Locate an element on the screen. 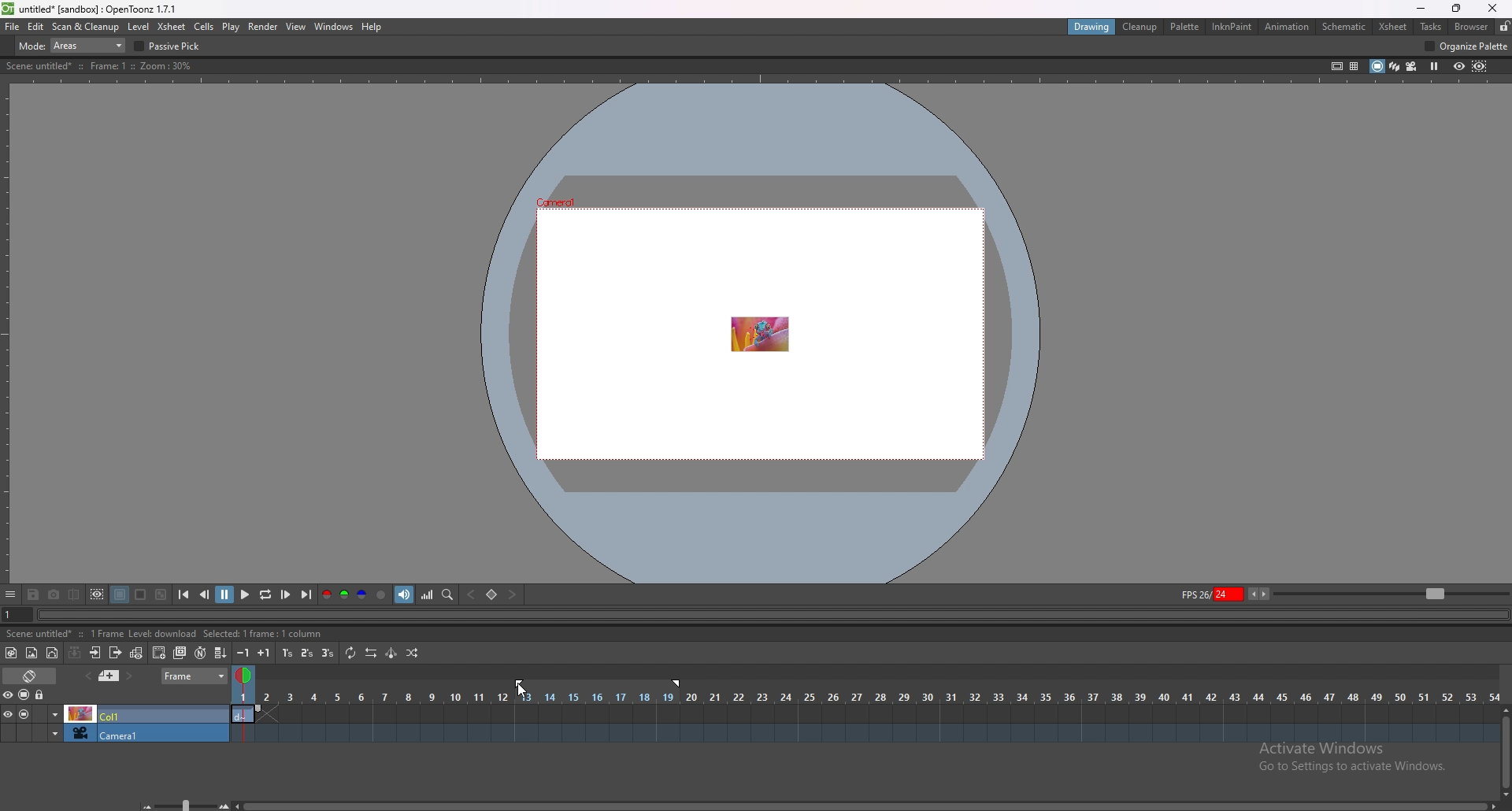 This screenshot has height=811, width=1512. fps is located at coordinates (1225, 594).